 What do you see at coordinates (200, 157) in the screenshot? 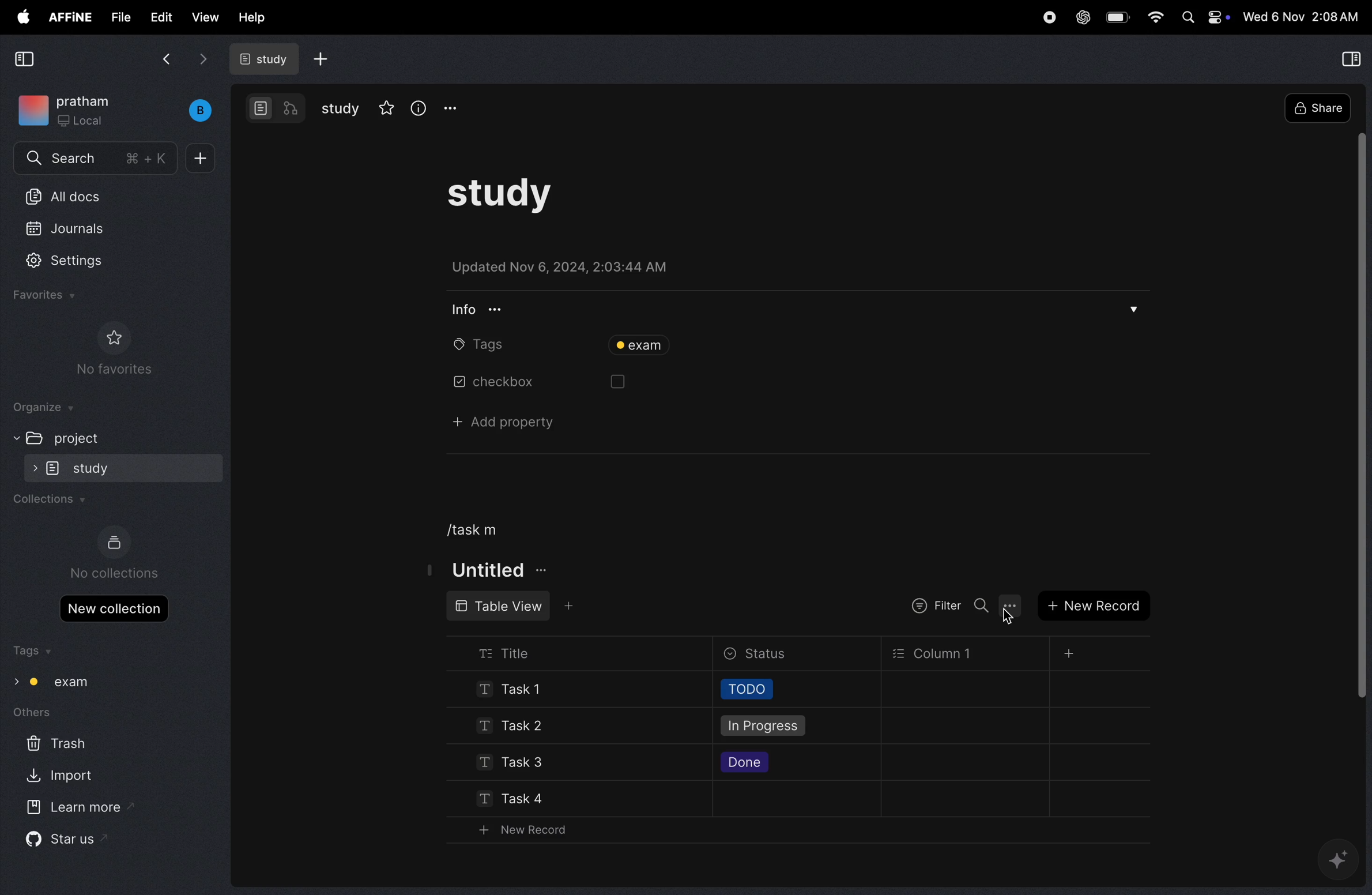
I see `add` at bounding box center [200, 157].